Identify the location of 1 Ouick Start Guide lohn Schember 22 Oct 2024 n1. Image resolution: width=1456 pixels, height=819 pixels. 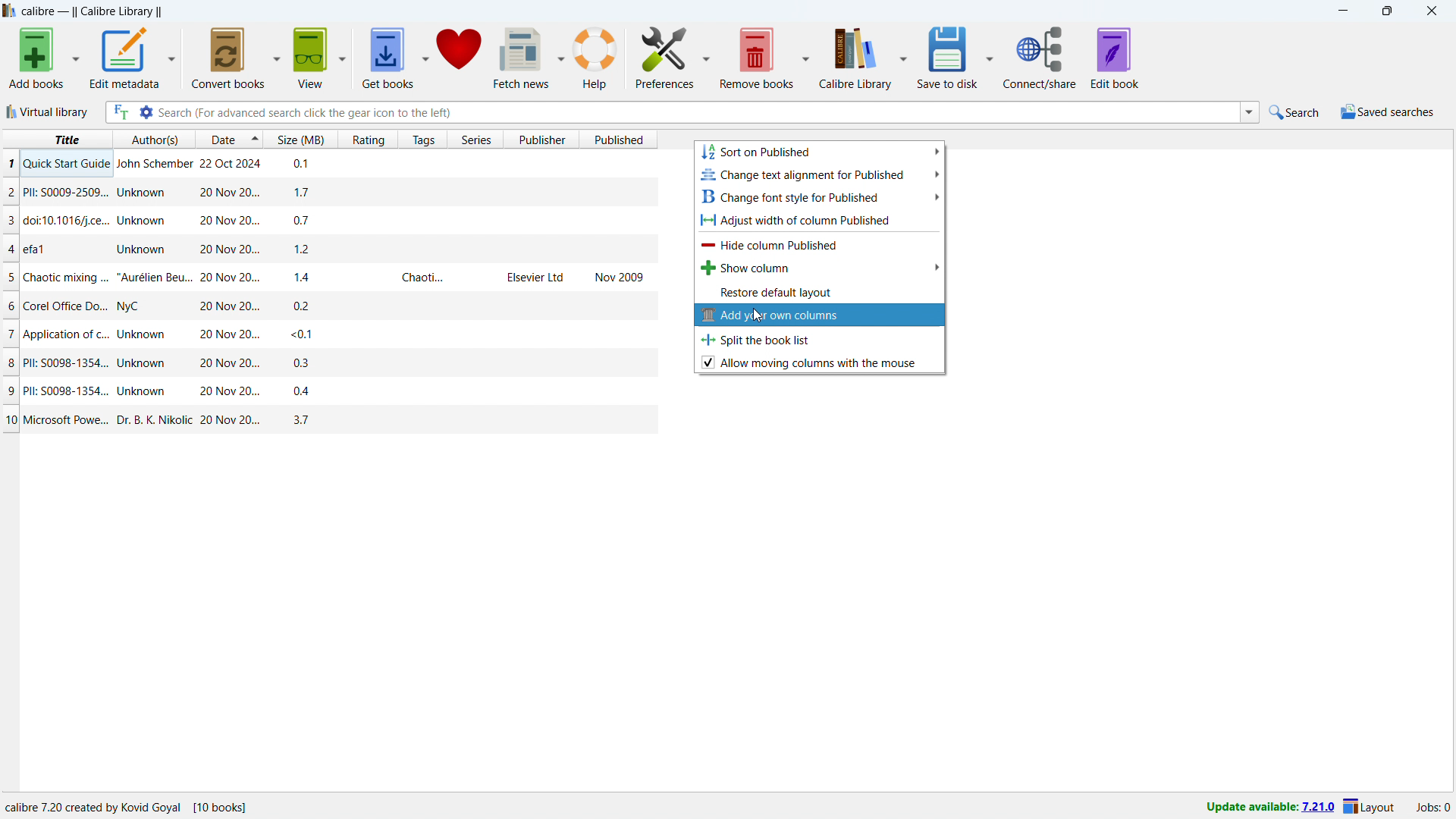
(334, 162).